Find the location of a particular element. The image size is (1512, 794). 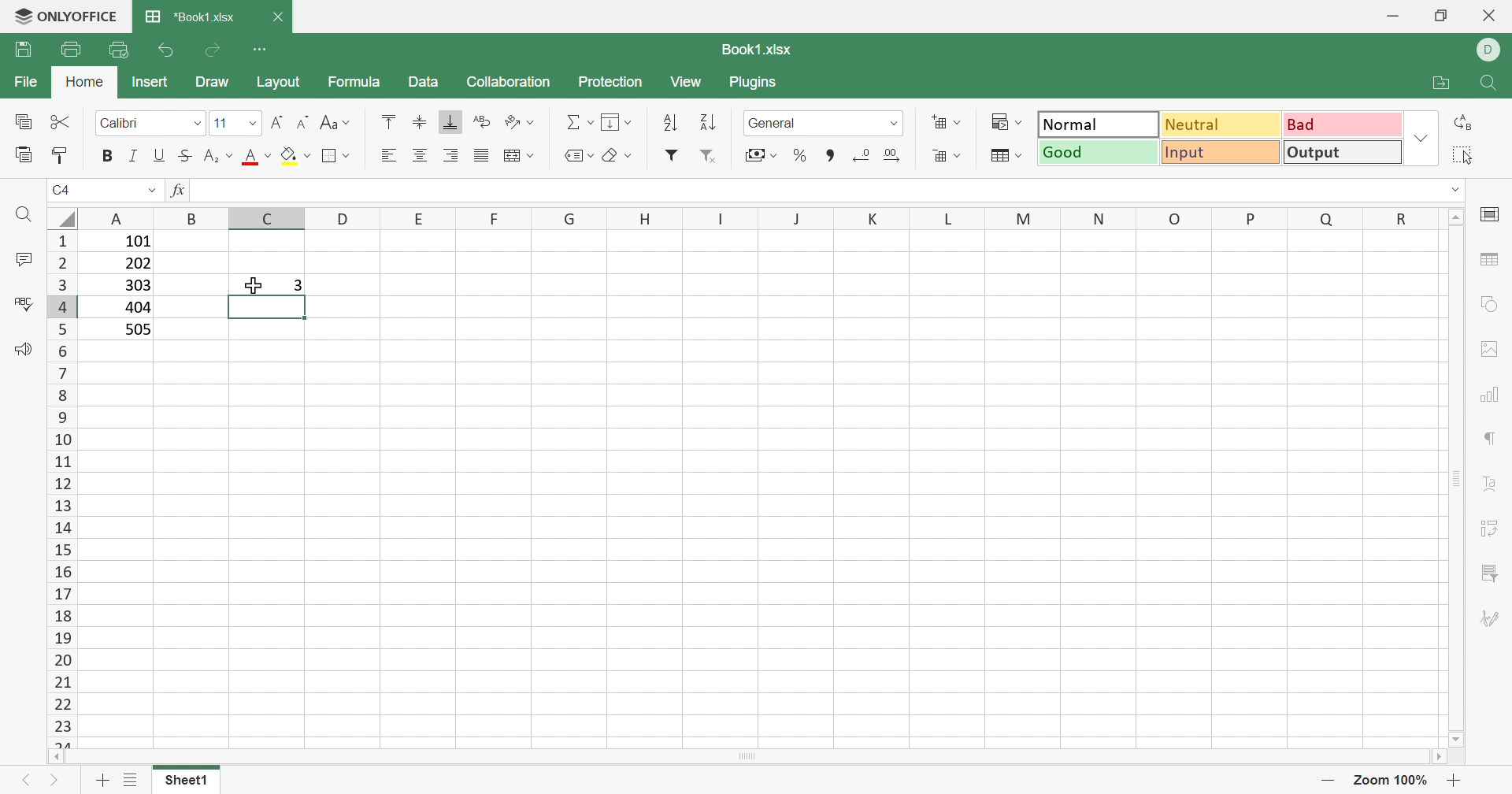

Borders is located at coordinates (335, 156).